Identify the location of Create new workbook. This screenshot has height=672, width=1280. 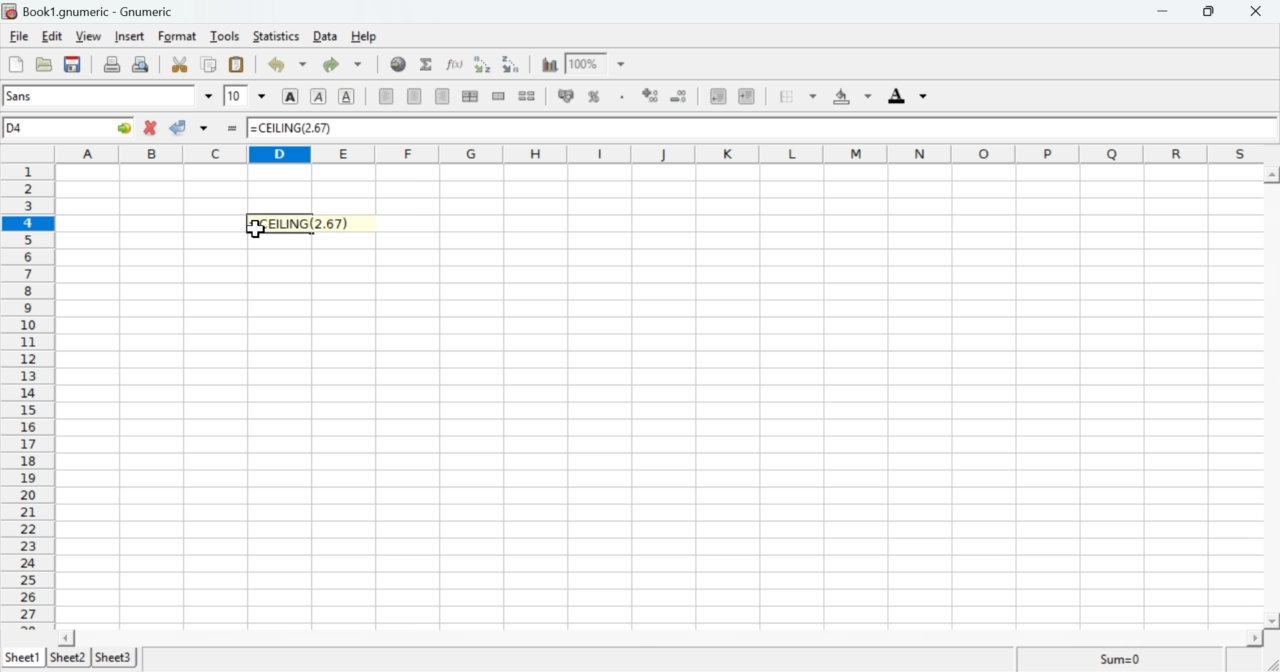
(14, 64).